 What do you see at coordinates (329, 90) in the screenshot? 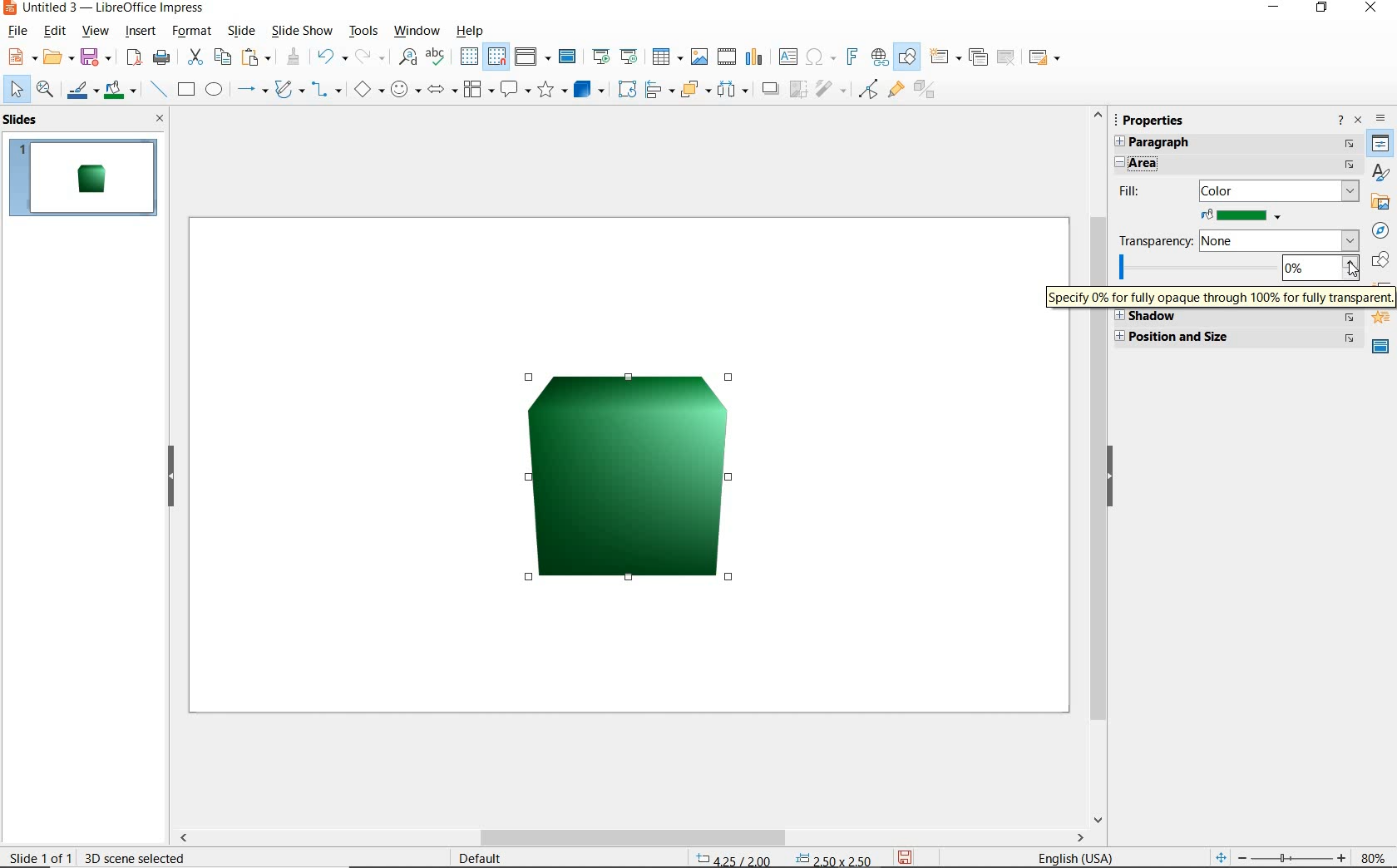
I see `connectors` at bounding box center [329, 90].